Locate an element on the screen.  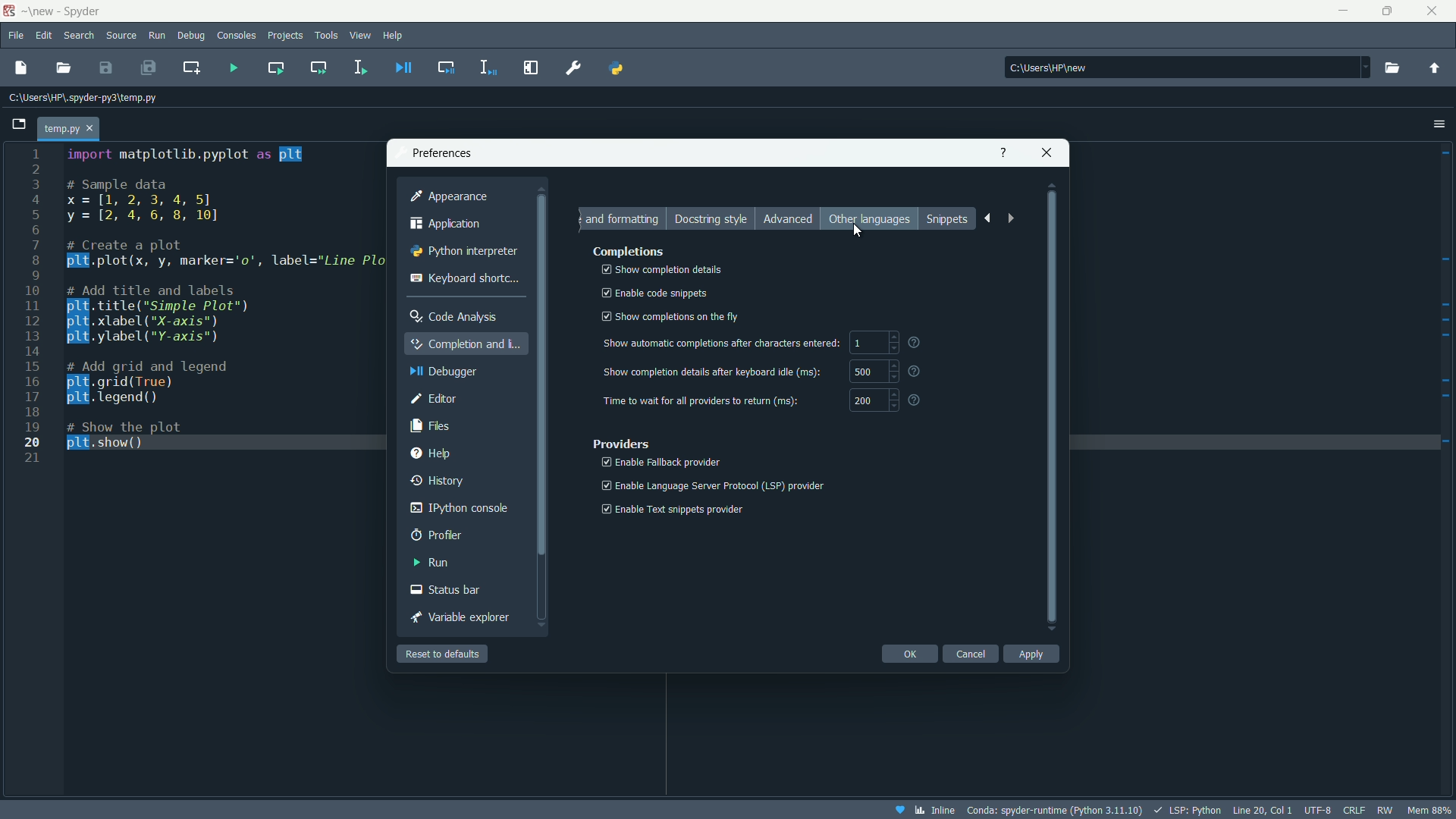
close app is located at coordinates (1436, 11).